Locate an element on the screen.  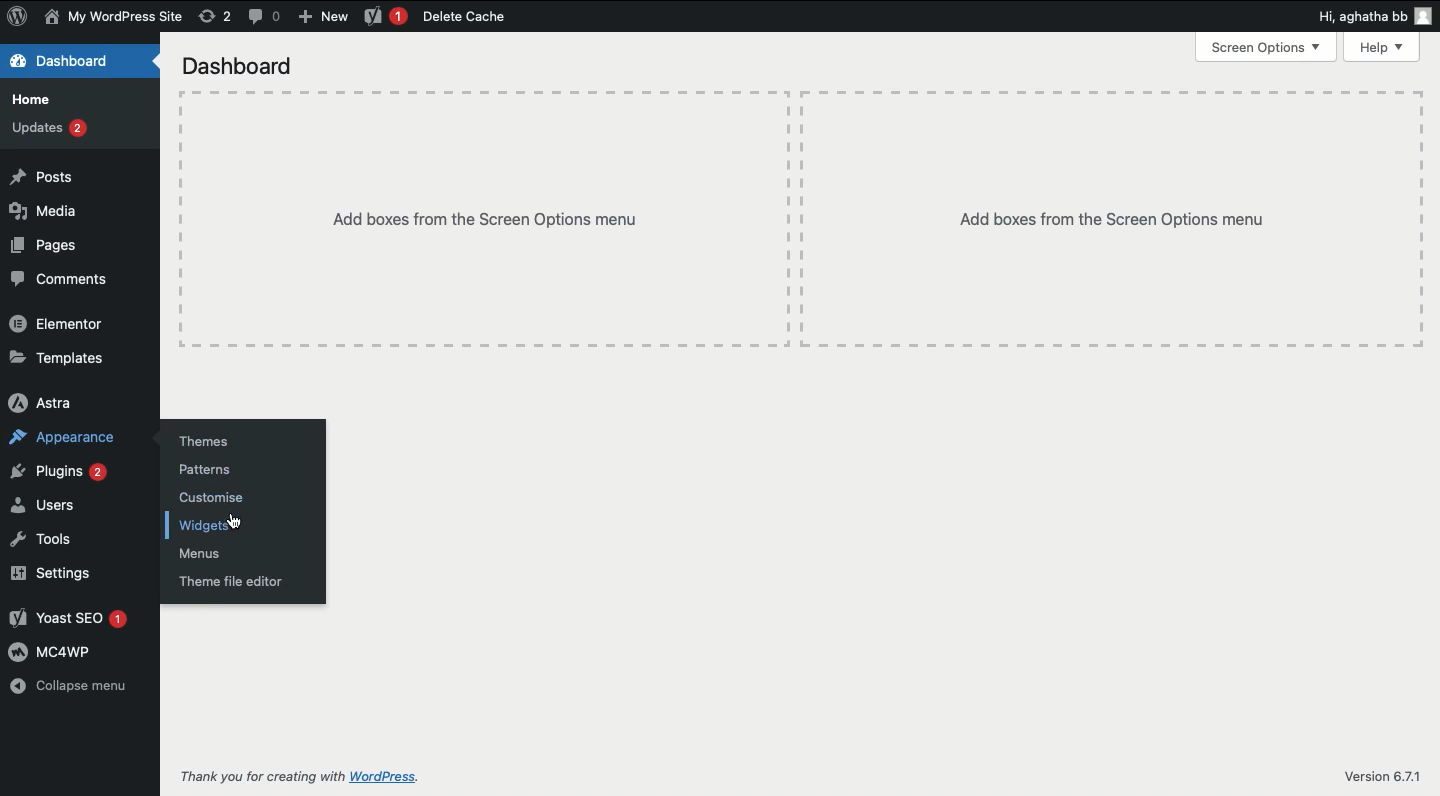
Hi, aghatha bb  is located at coordinates (1368, 15).